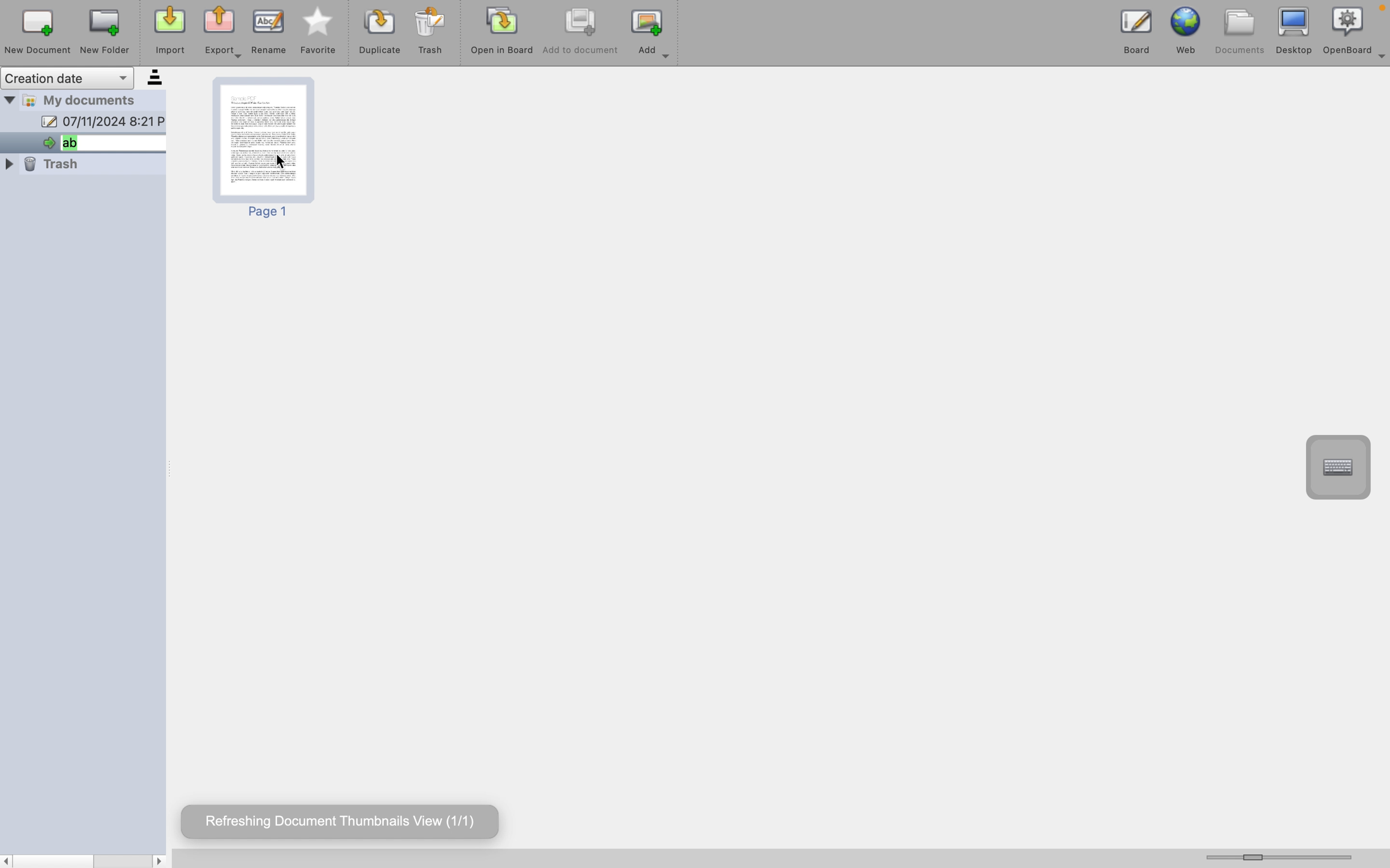 This screenshot has height=868, width=1390. What do you see at coordinates (281, 161) in the screenshot?
I see `cursor` at bounding box center [281, 161].